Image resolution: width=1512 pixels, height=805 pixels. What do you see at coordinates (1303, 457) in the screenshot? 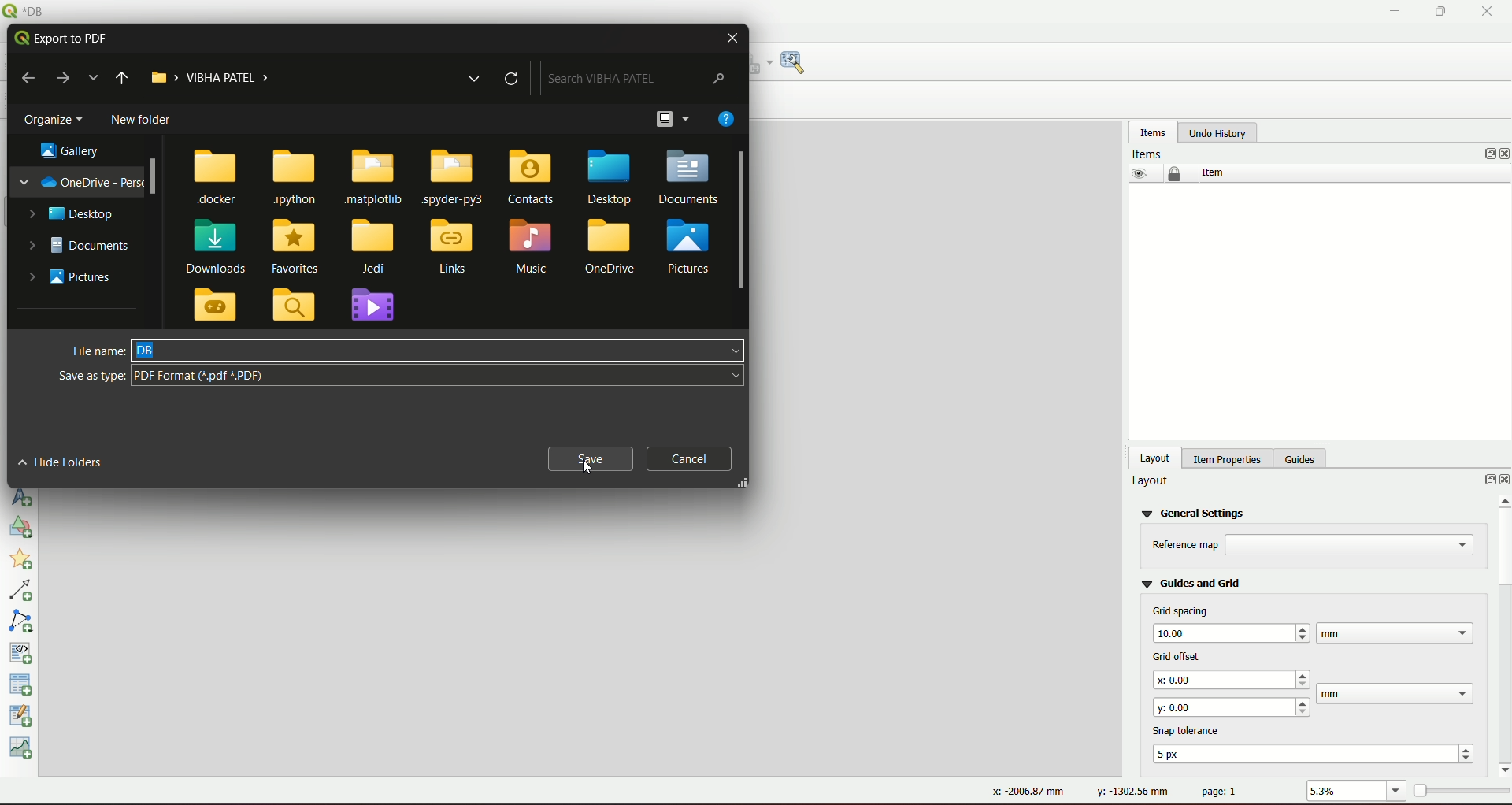
I see `guides` at bounding box center [1303, 457].